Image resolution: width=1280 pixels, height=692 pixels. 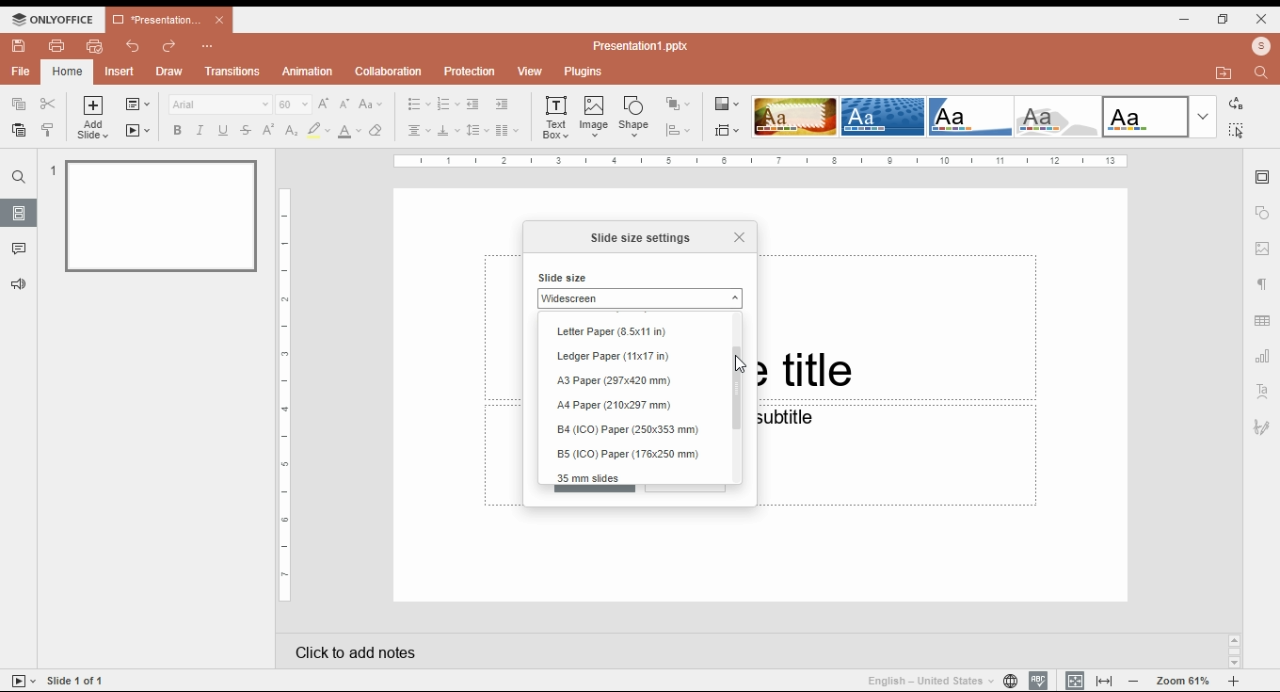 I want to click on 60, so click(x=294, y=104).